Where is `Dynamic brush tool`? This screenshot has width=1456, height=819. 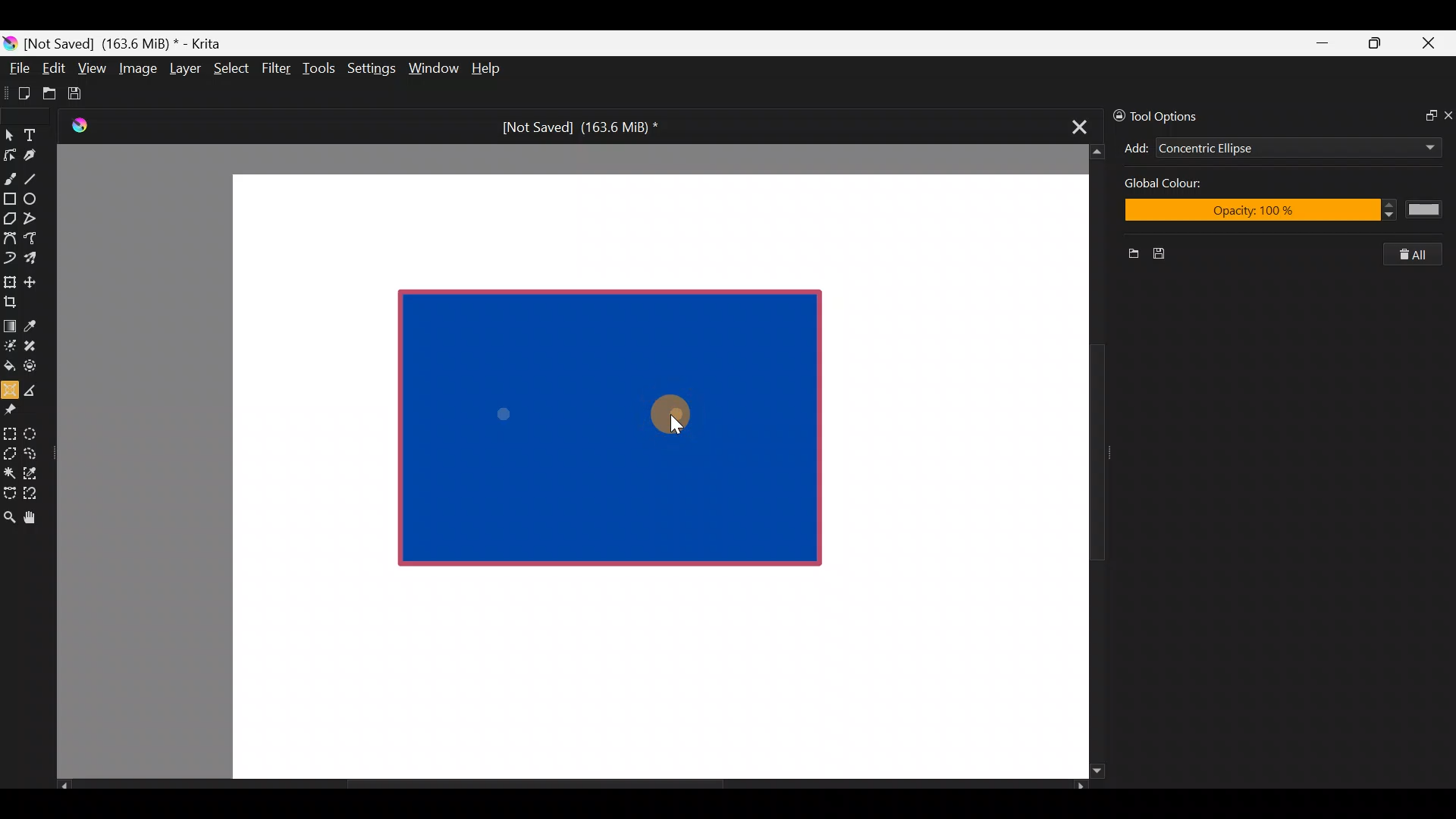 Dynamic brush tool is located at coordinates (11, 258).